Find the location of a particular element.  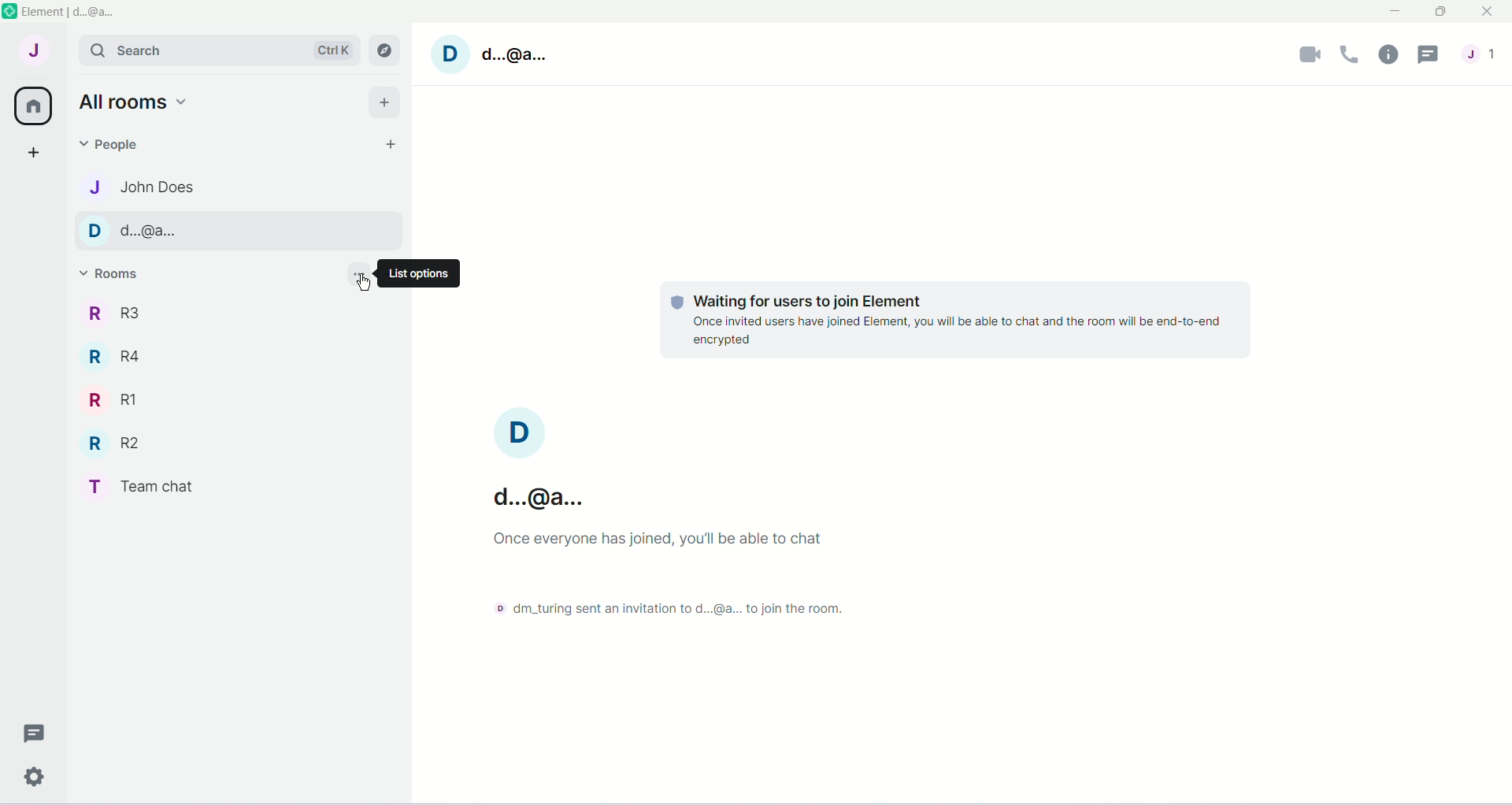

Room Name-r4 is located at coordinates (117, 356).